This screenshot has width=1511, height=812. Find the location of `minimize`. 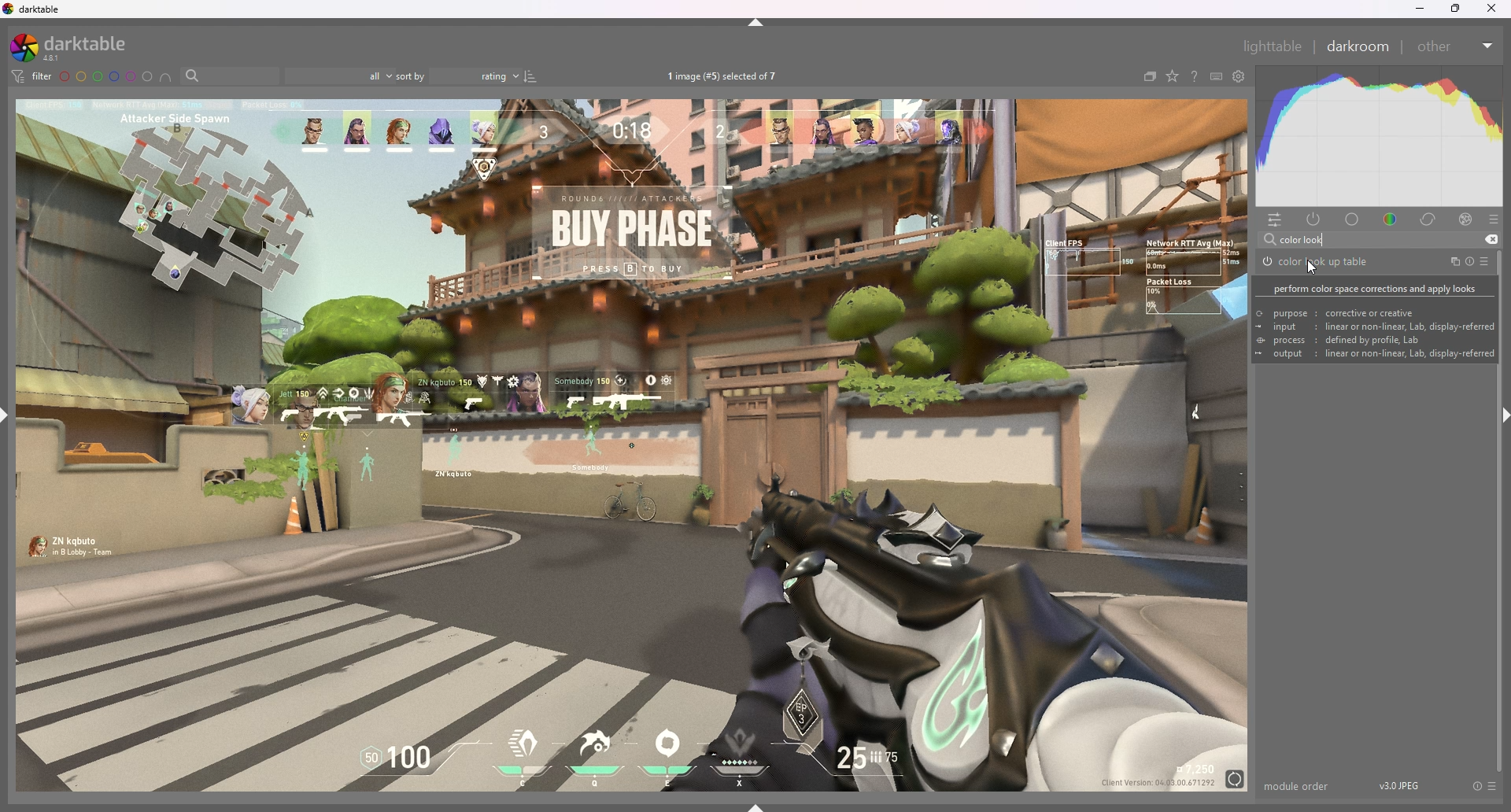

minimize is located at coordinates (1420, 8).